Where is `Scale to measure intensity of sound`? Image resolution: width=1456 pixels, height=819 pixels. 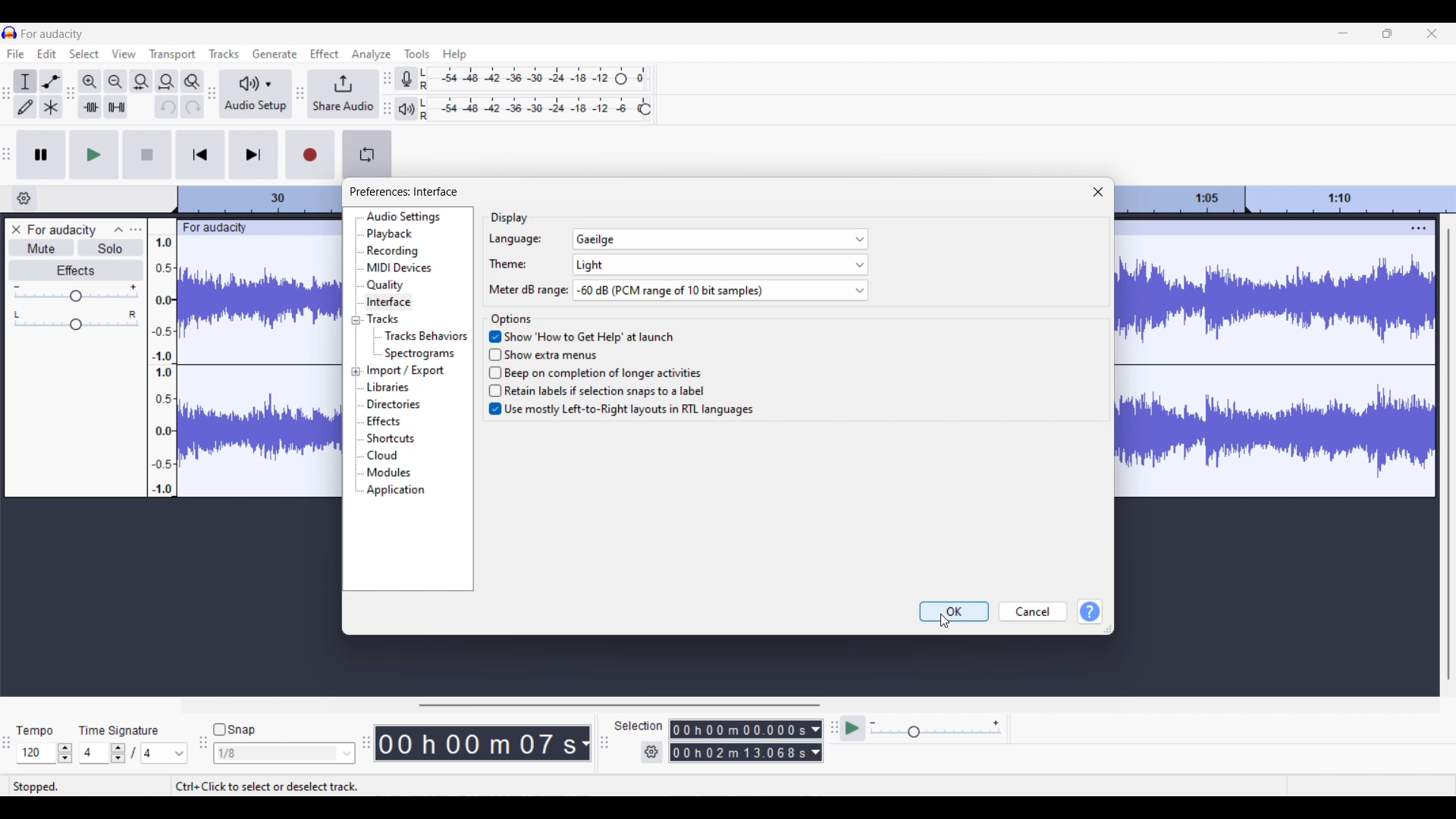 Scale to measure intensity of sound is located at coordinates (163, 366).